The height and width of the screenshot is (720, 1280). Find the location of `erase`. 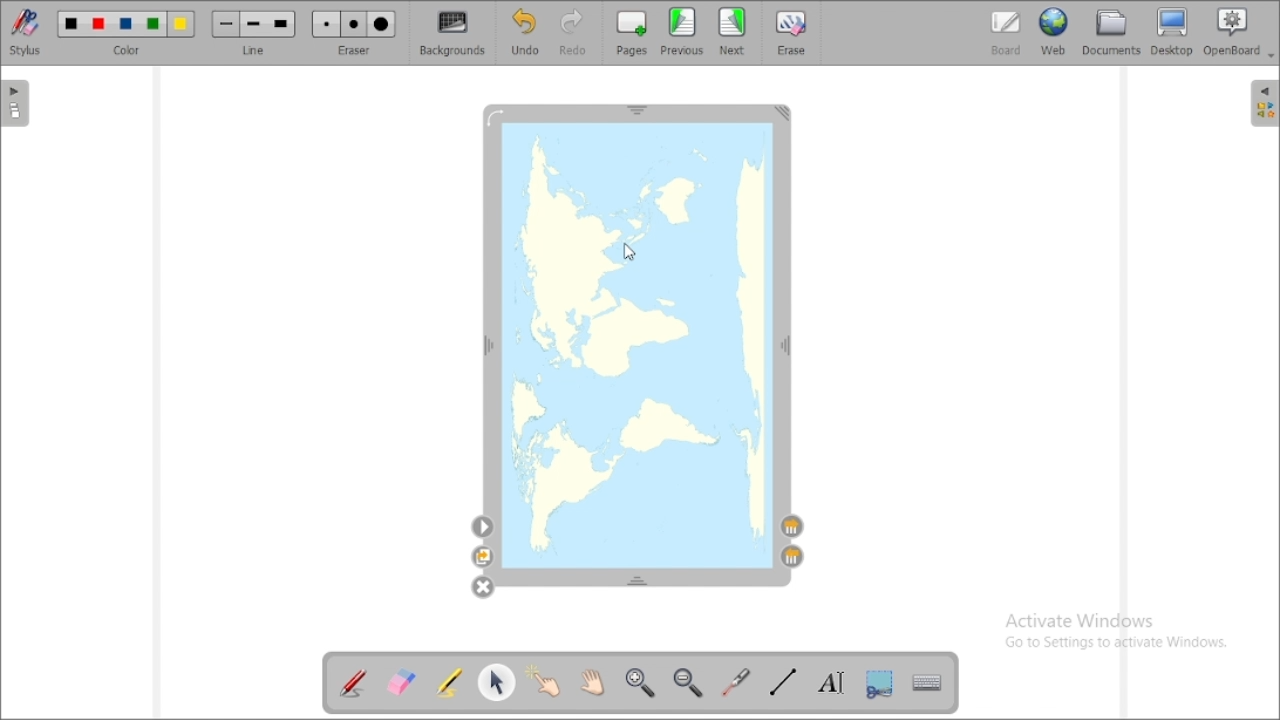

erase is located at coordinates (794, 32).